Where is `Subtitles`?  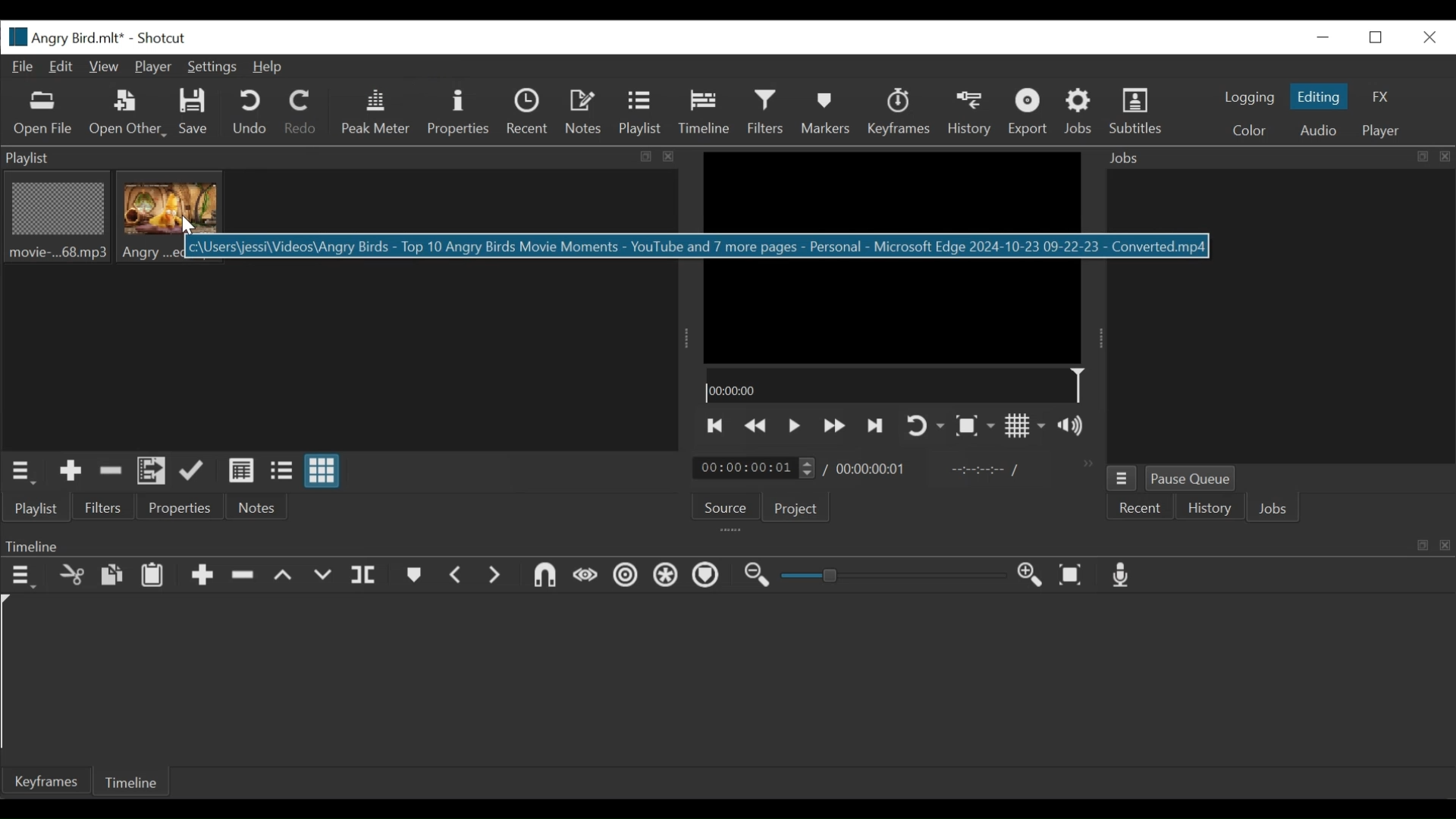
Subtitles is located at coordinates (1140, 115).